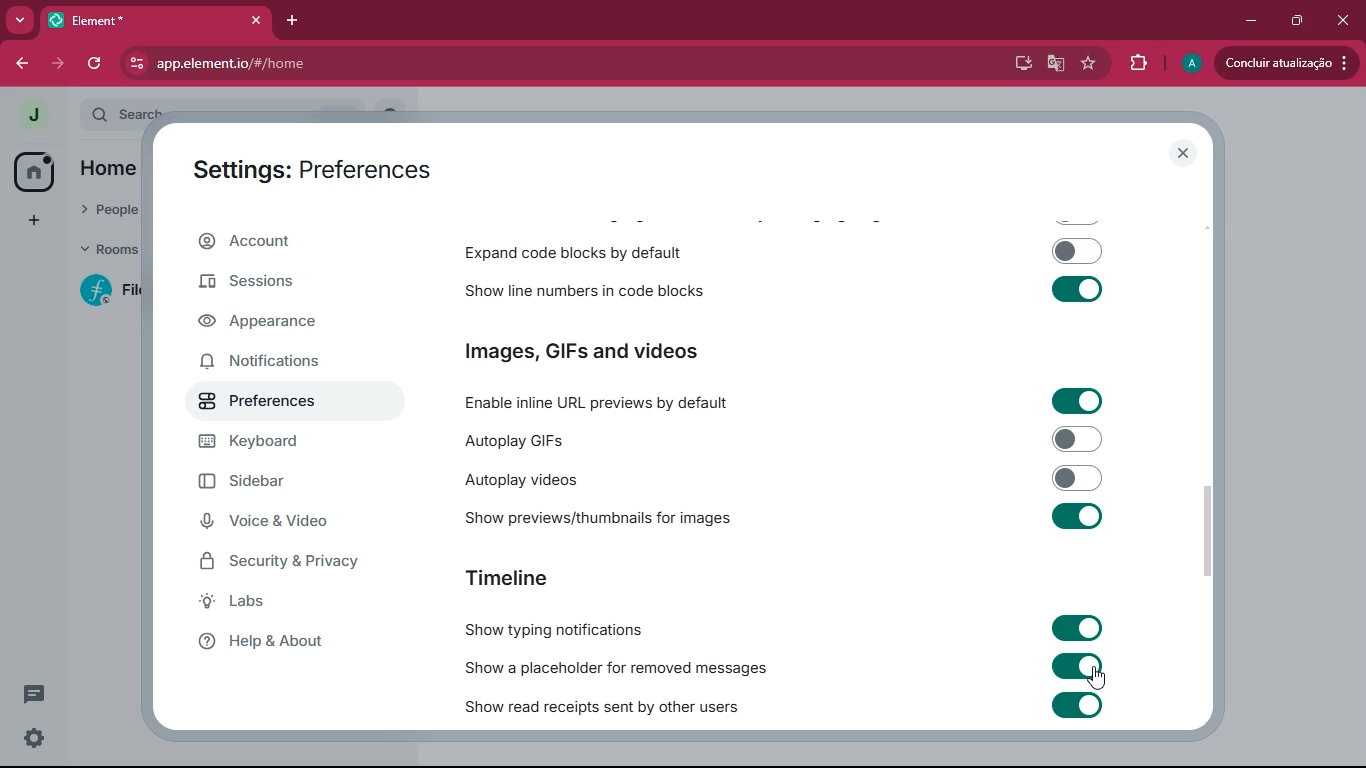 This screenshot has width=1366, height=768. Describe the element at coordinates (1252, 21) in the screenshot. I see `minimize` at that location.